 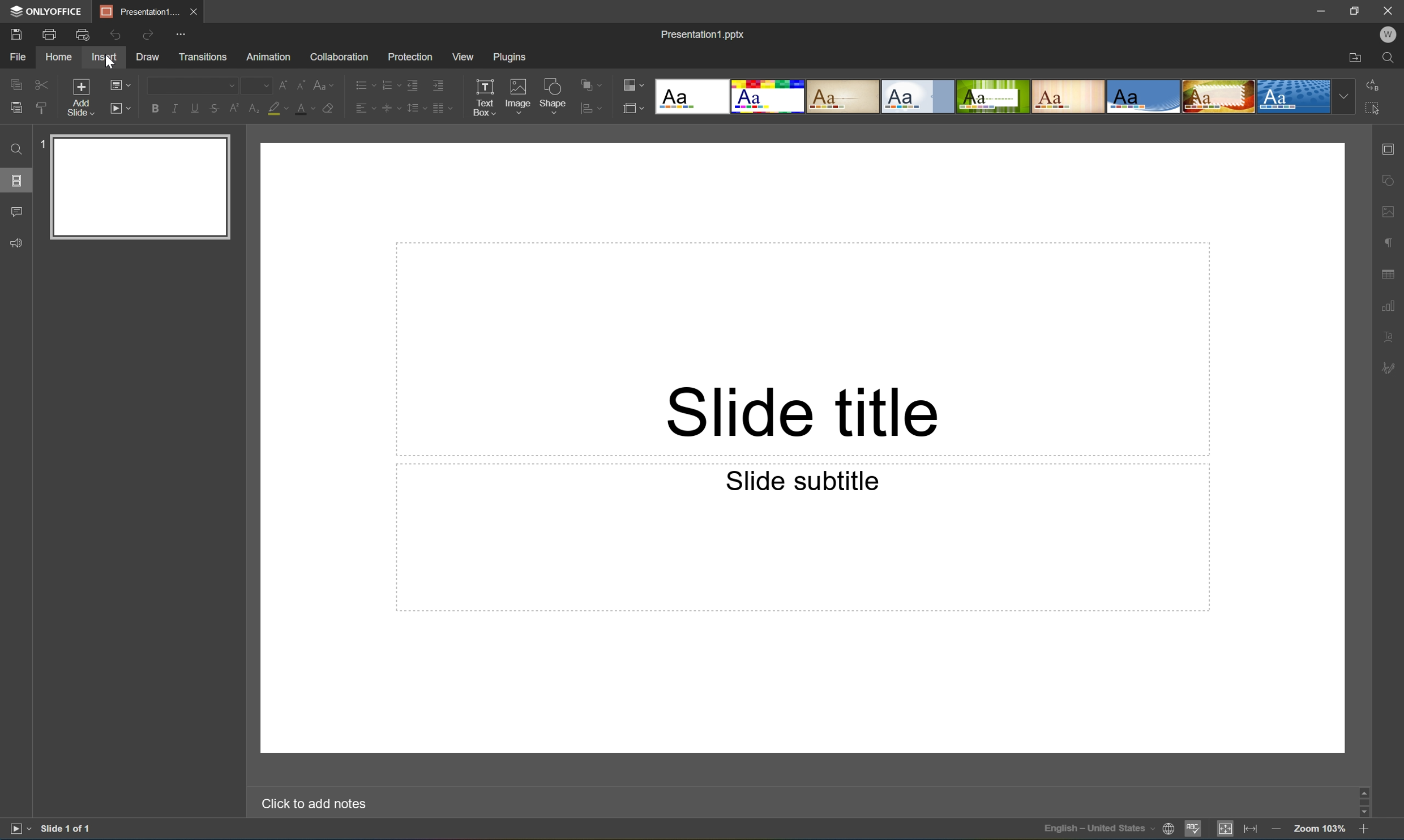 I want to click on Font colors, so click(x=305, y=107).